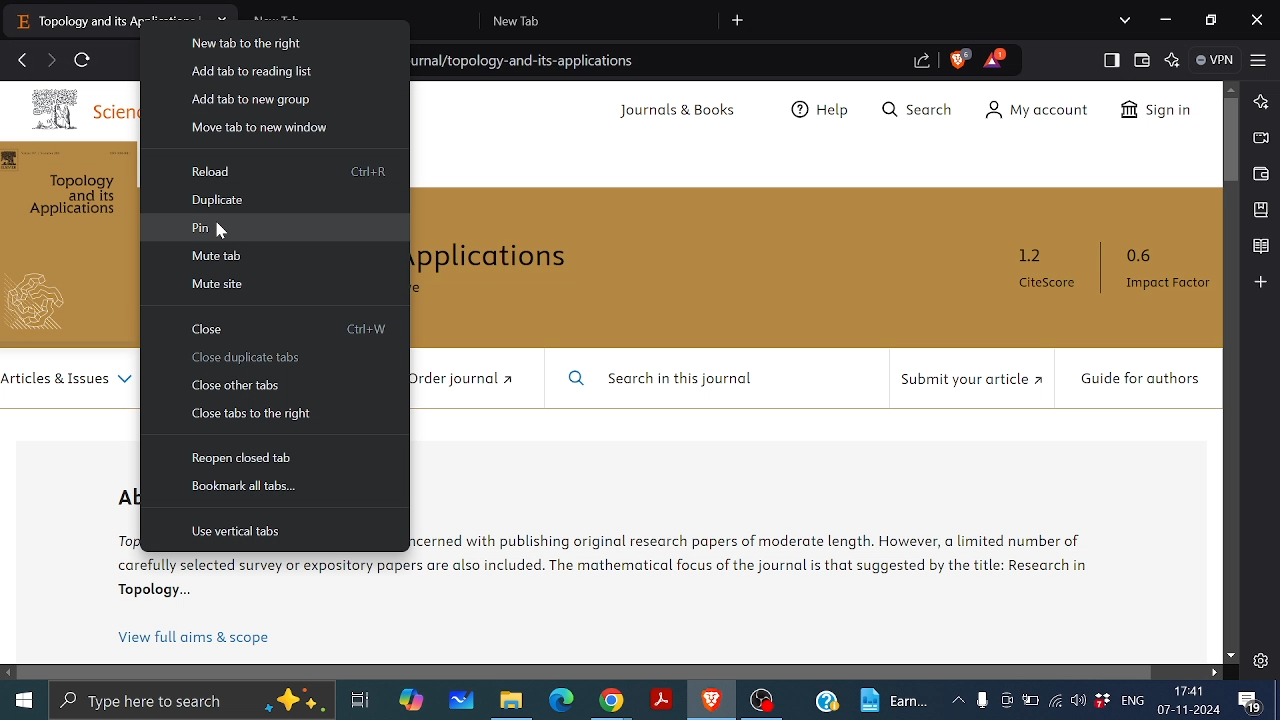 The height and width of the screenshot is (720, 1280). I want to click on Journals & Books, so click(680, 111).